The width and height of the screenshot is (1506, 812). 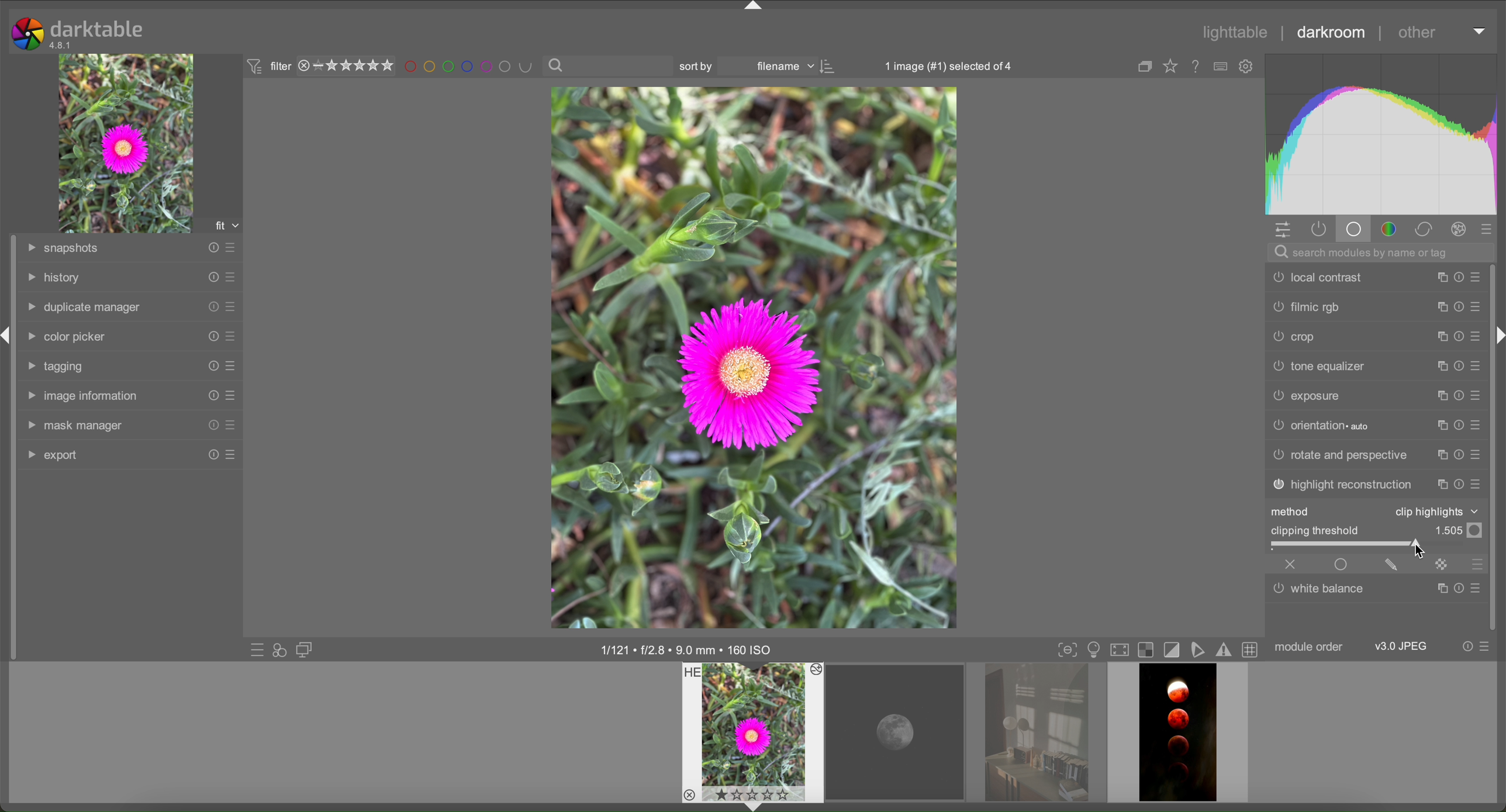 What do you see at coordinates (266, 67) in the screenshot?
I see `filter` at bounding box center [266, 67].